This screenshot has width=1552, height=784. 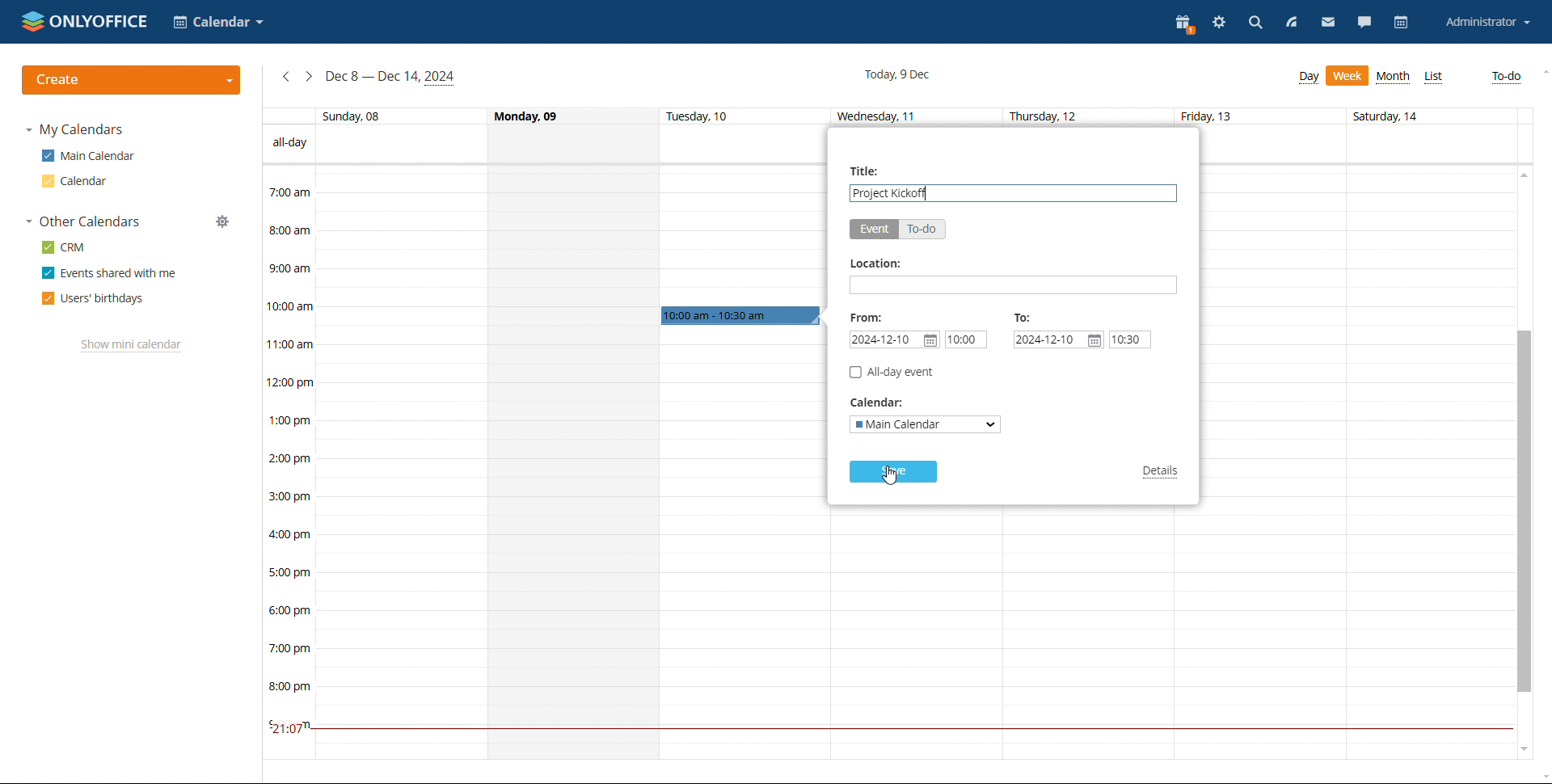 What do you see at coordinates (740, 316) in the screenshot?
I see `10 am to 10:30 am span chosen` at bounding box center [740, 316].